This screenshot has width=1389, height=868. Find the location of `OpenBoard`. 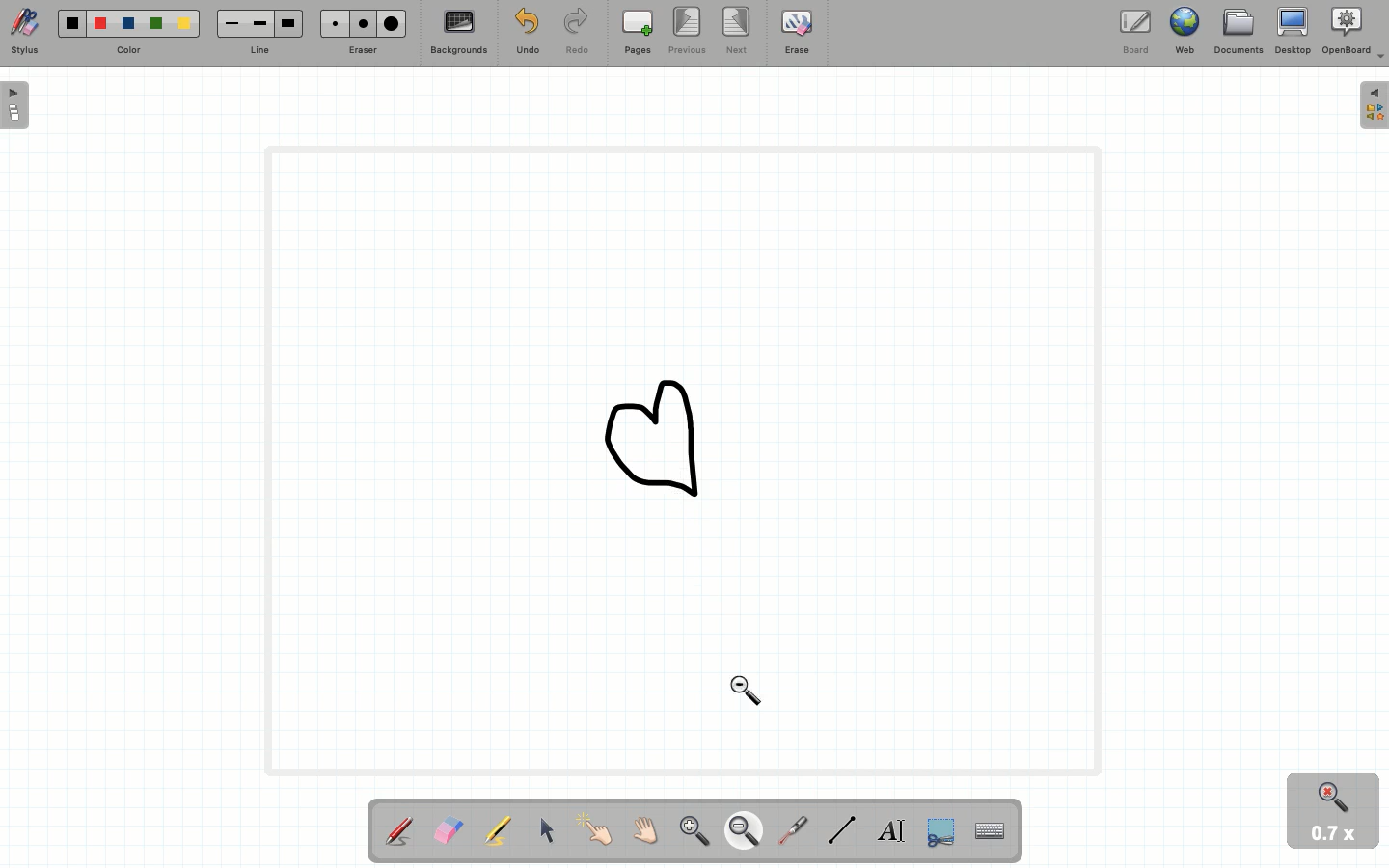

OpenBoard is located at coordinates (1353, 34).